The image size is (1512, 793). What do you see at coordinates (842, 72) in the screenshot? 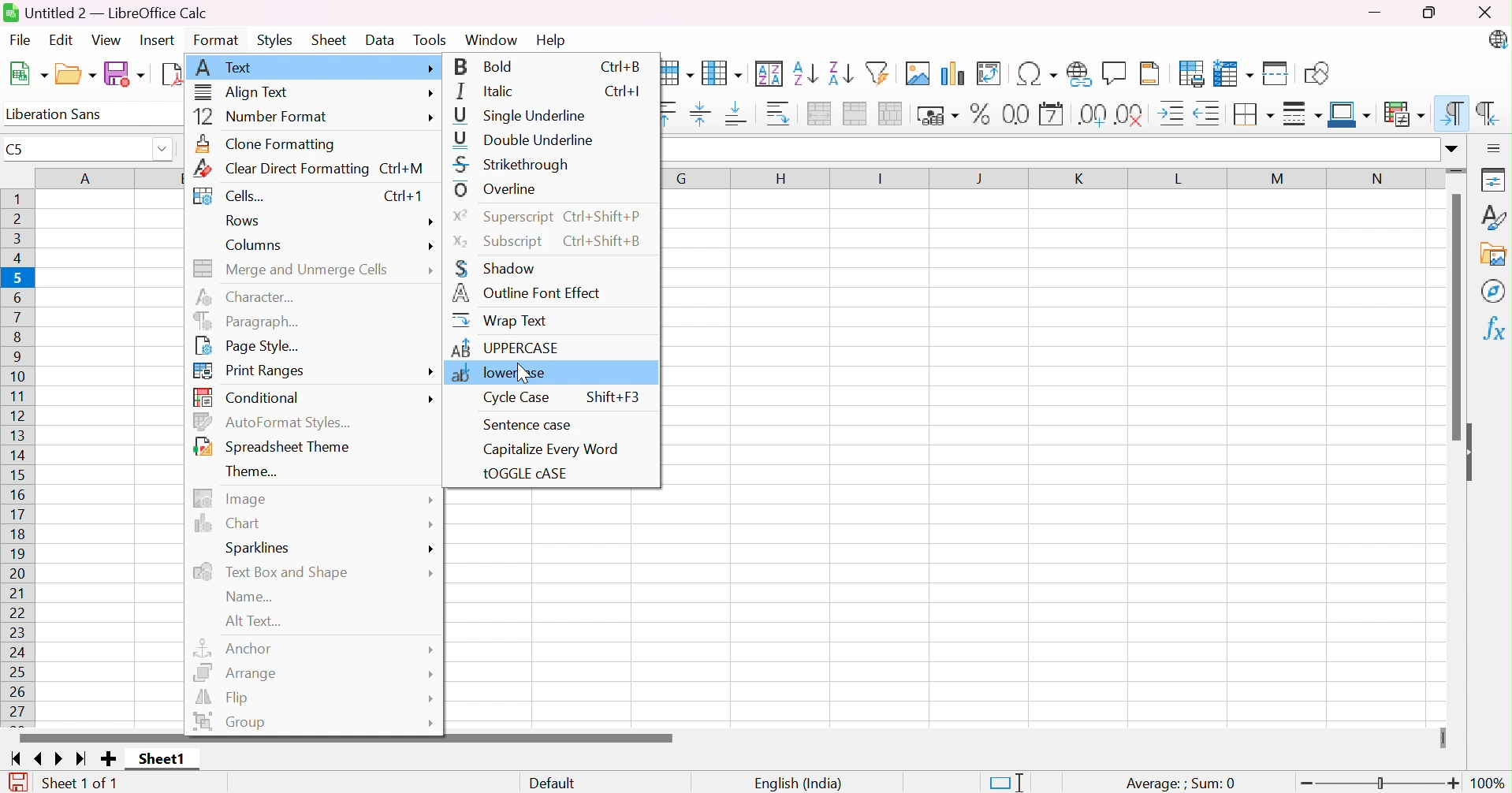
I see `Sort Descending` at bounding box center [842, 72].